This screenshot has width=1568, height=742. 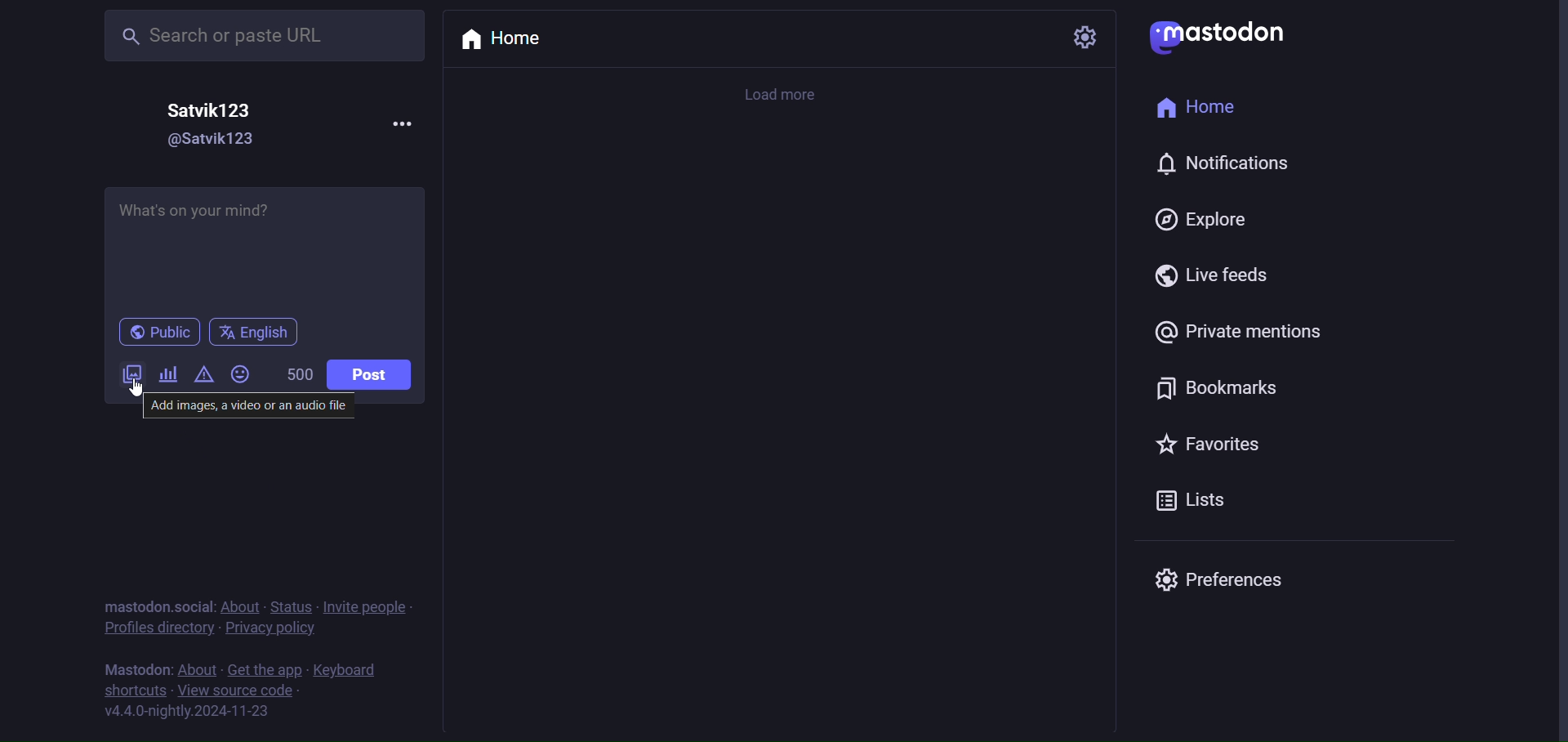 What do you see at coordinates (289, 370) in the screenshot?
I see `500` at bounding box center [289, 370].